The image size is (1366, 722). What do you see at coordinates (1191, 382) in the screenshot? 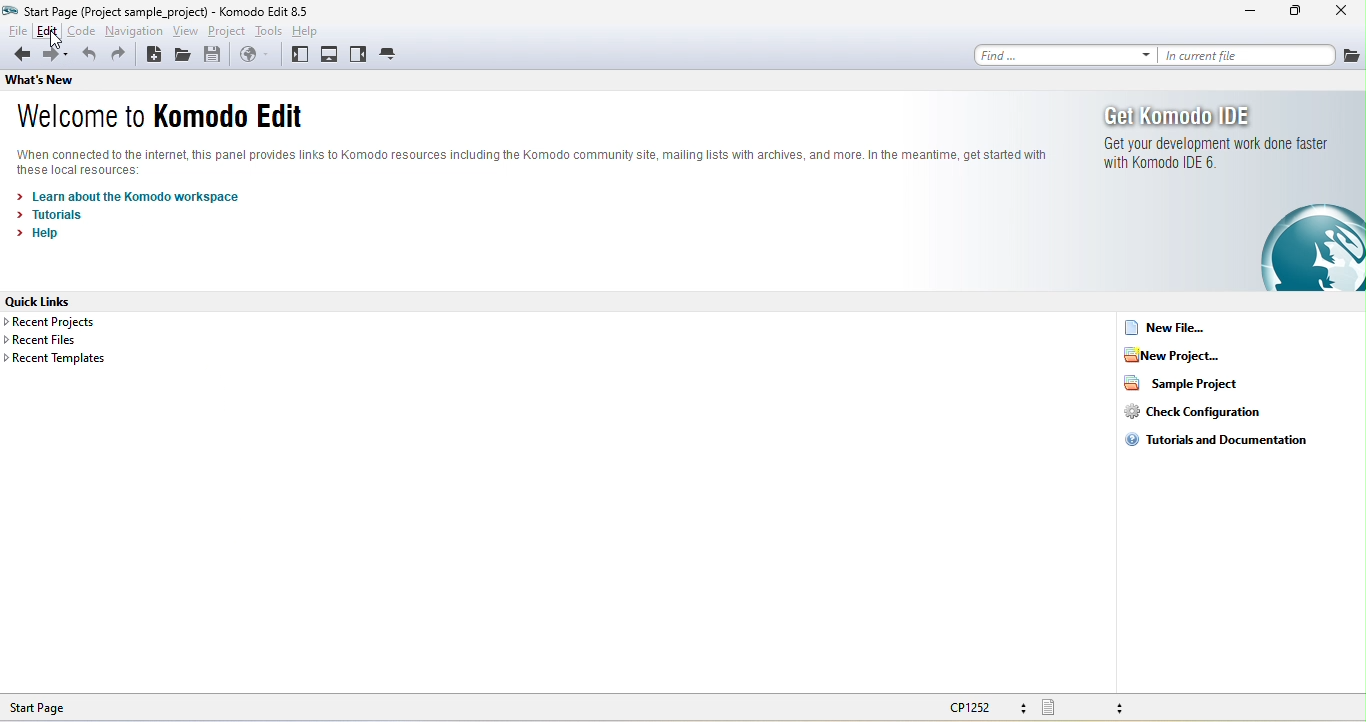
I see `sample project` at bounding box center [1191, 382].